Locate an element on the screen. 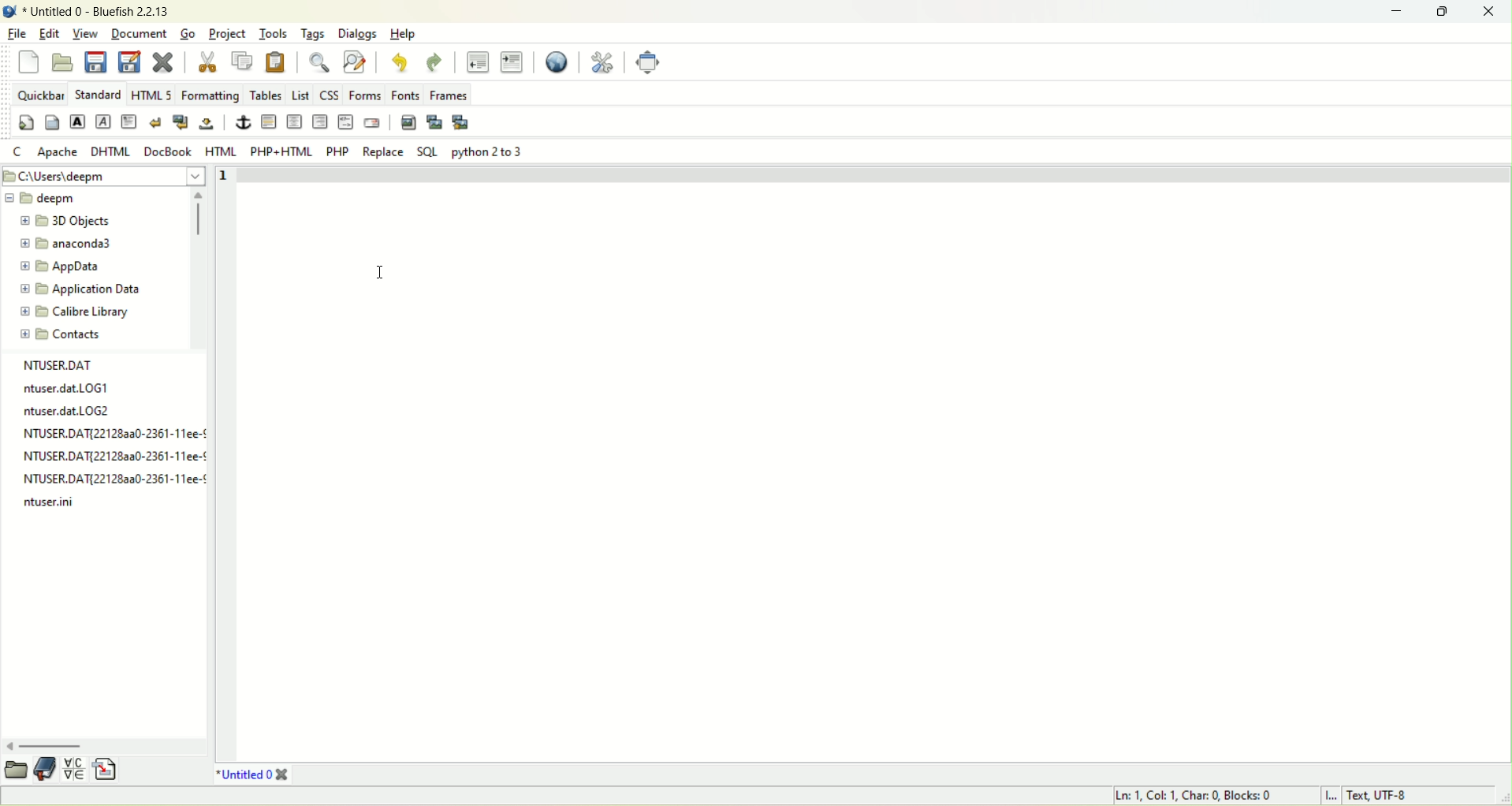 This screenshot has width=1512, height=806. quickstart is located at coordinates (27, 122).